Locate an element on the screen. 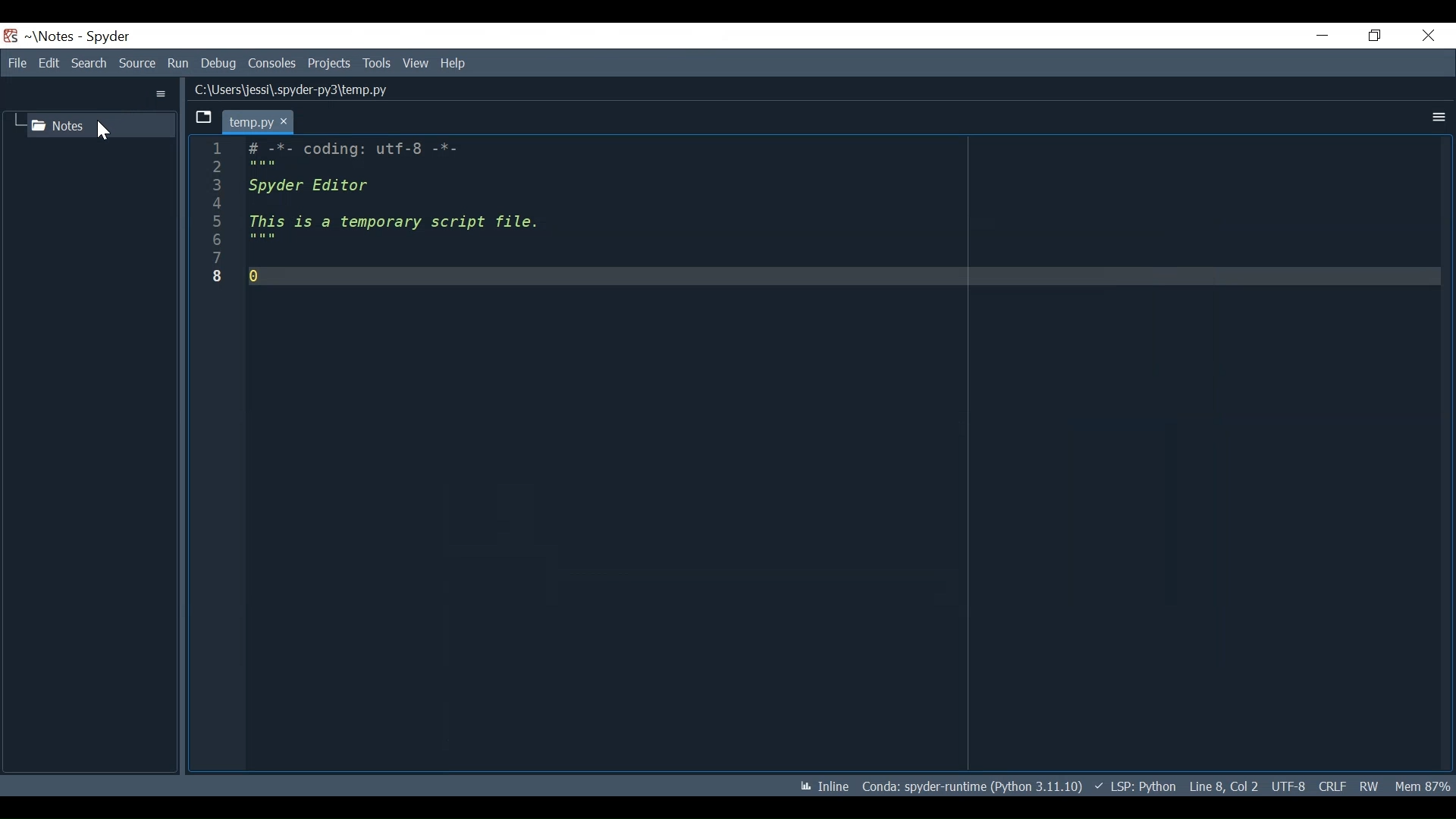  Projects is located at coordinates (329, 64).